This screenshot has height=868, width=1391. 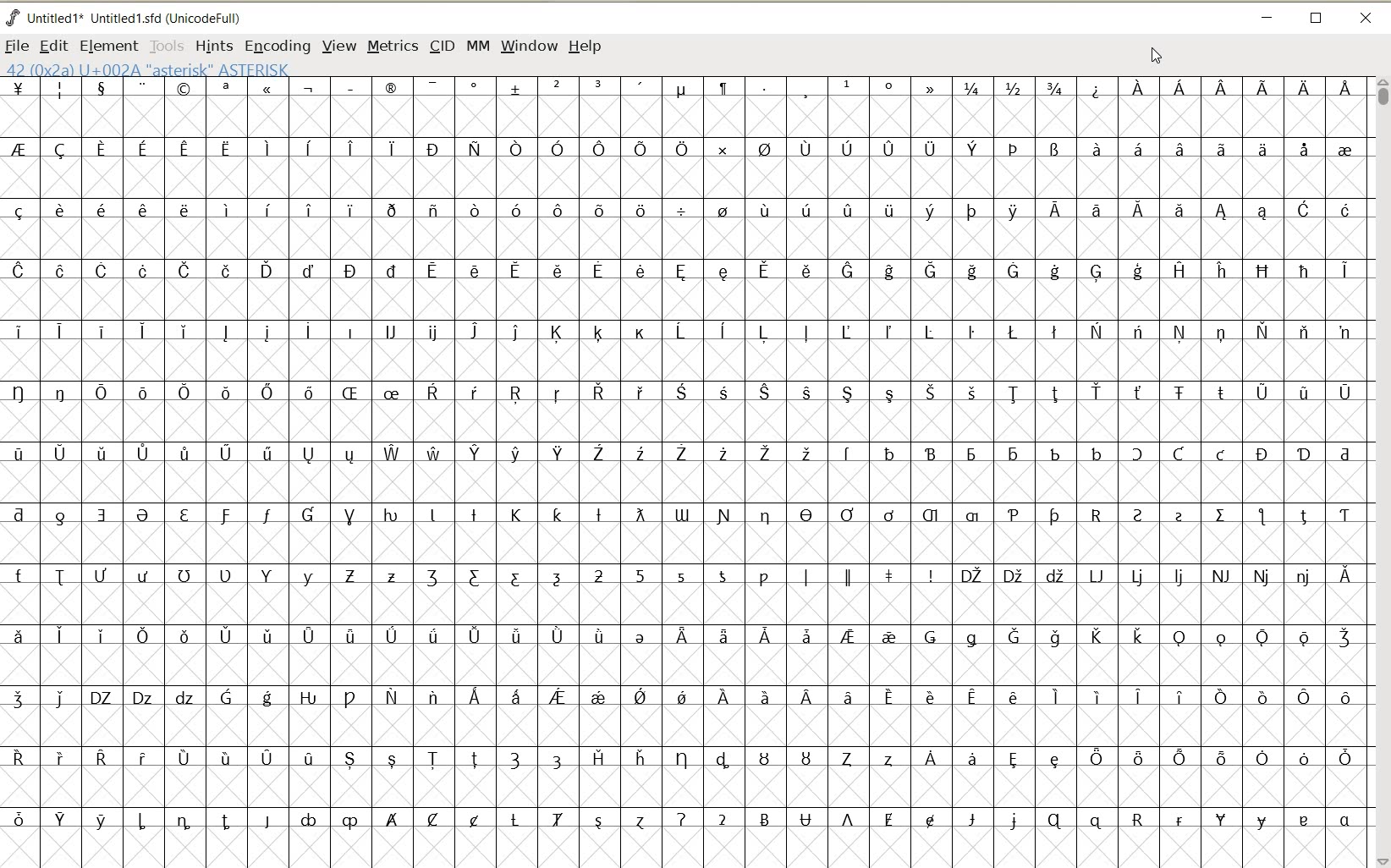 What do you see at coordinates (1317, 19) in the screenshot?
I see `RESTORE` at bounding box center [1317, 19].